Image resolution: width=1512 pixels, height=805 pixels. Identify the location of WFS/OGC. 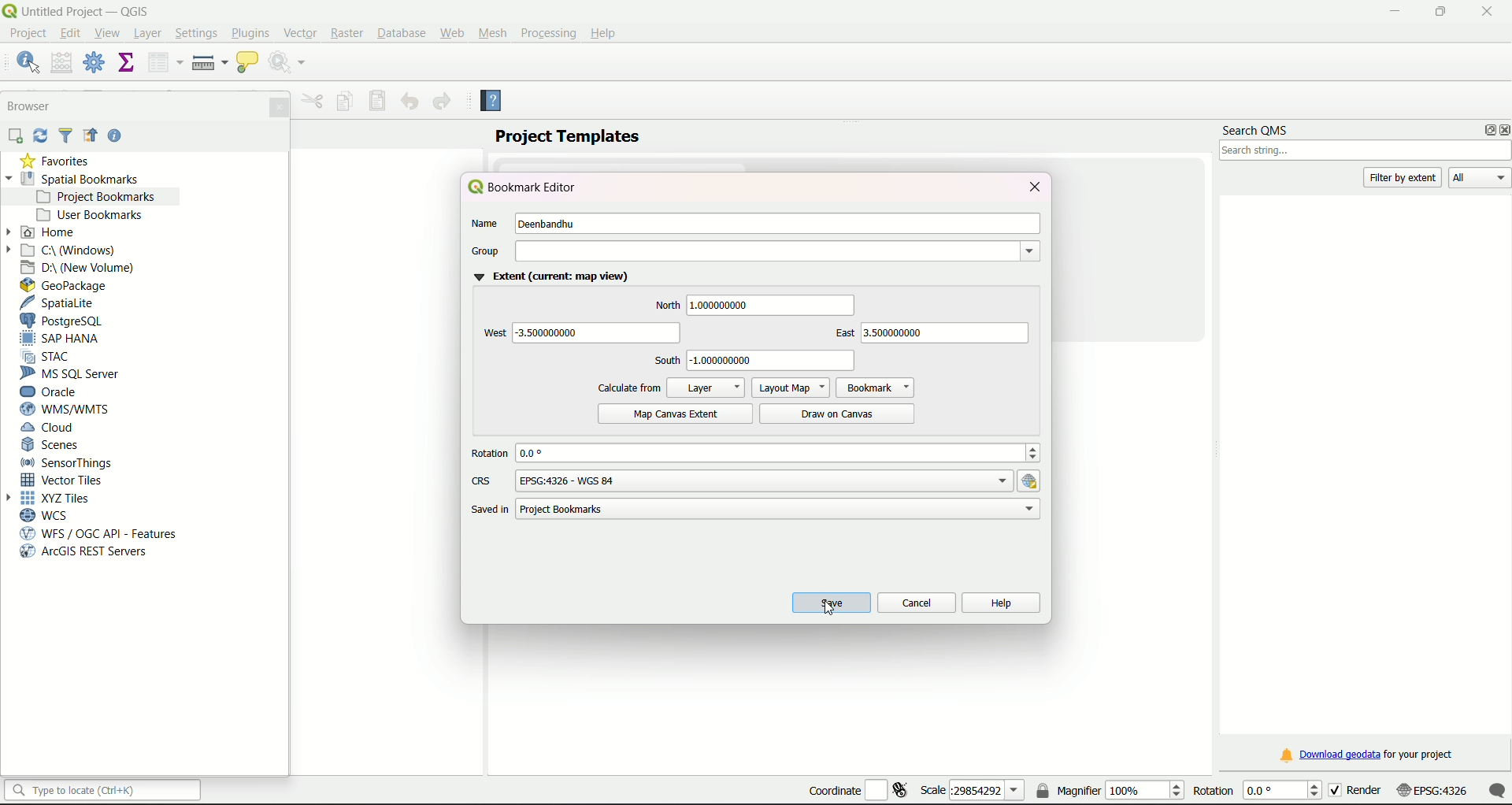
(104, 533).